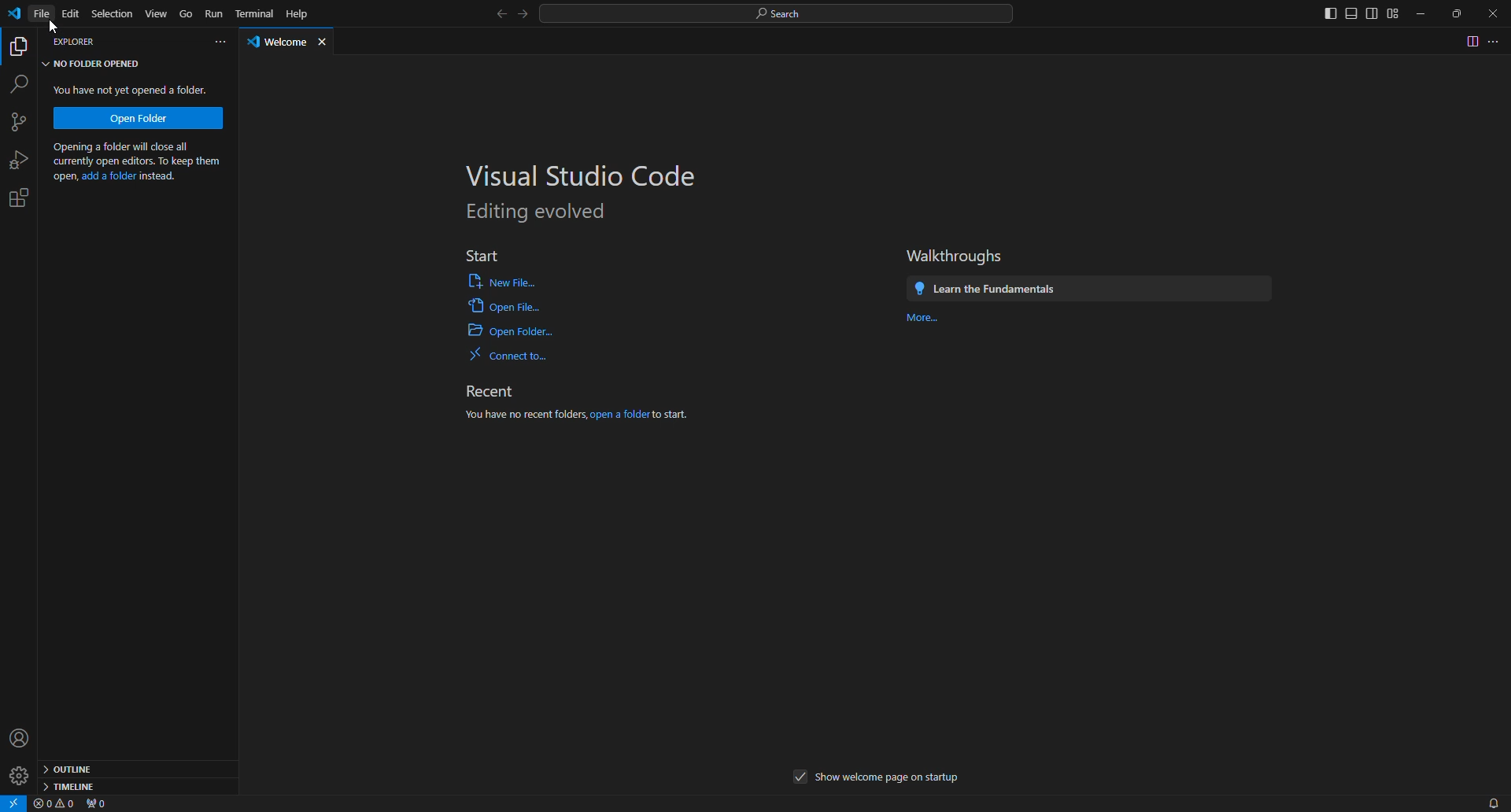 The width and height of the screenshot is (1511, 812). I want to click on toggle primary sidebar, so click(1329, 13).